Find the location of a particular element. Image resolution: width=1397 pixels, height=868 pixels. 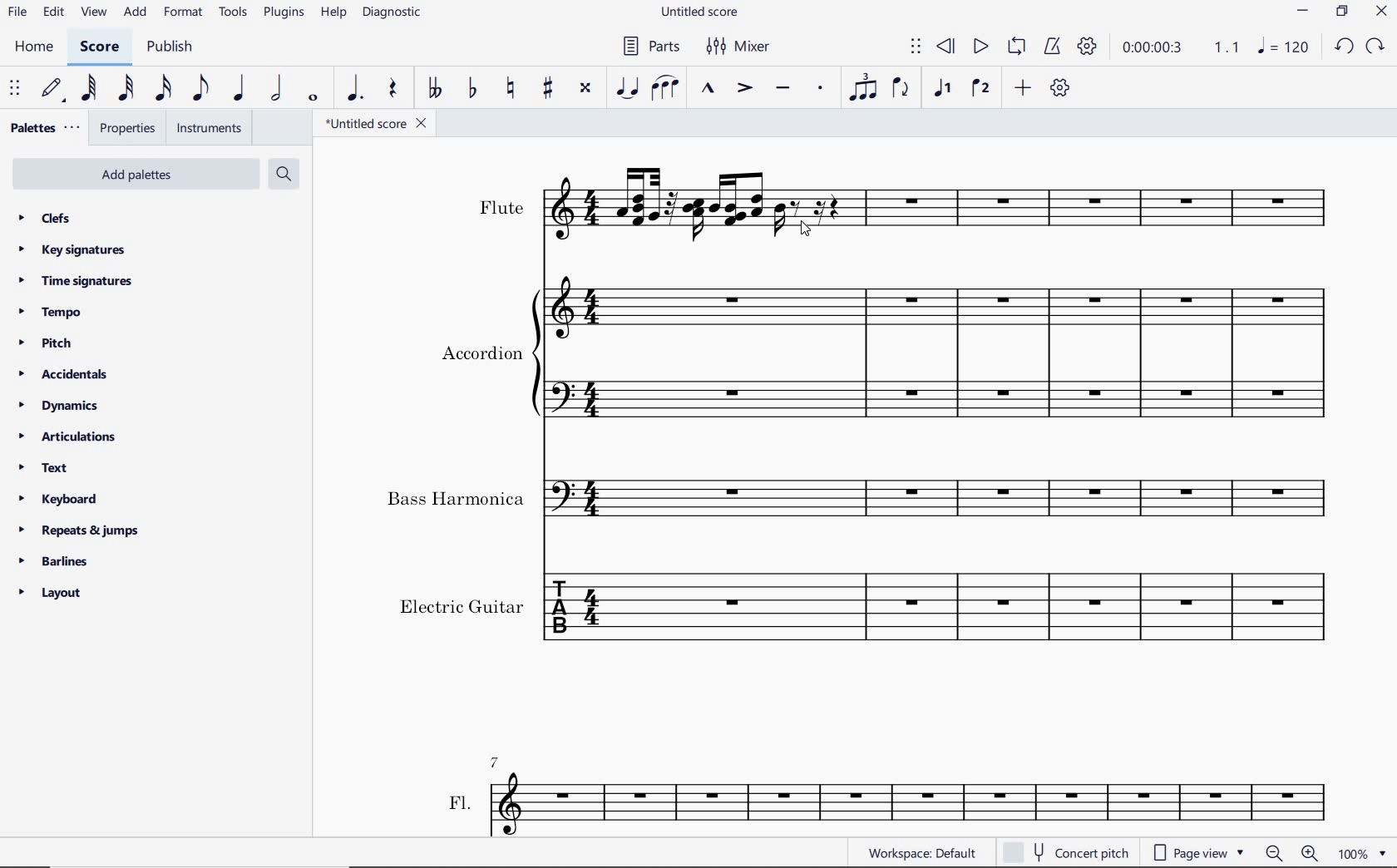

32nd note is located at coordinates (126, 89).